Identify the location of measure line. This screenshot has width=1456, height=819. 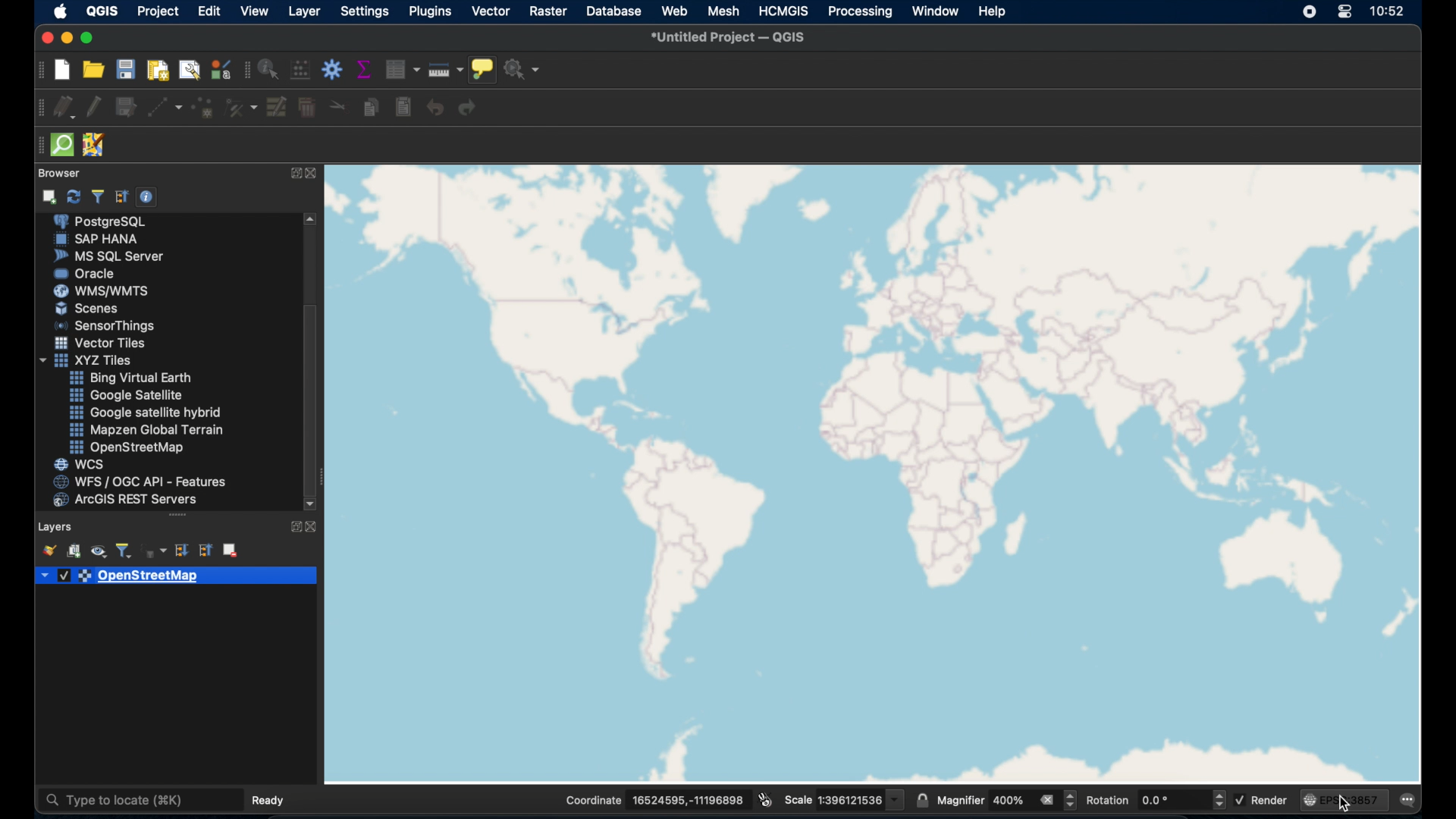
(444, 71).